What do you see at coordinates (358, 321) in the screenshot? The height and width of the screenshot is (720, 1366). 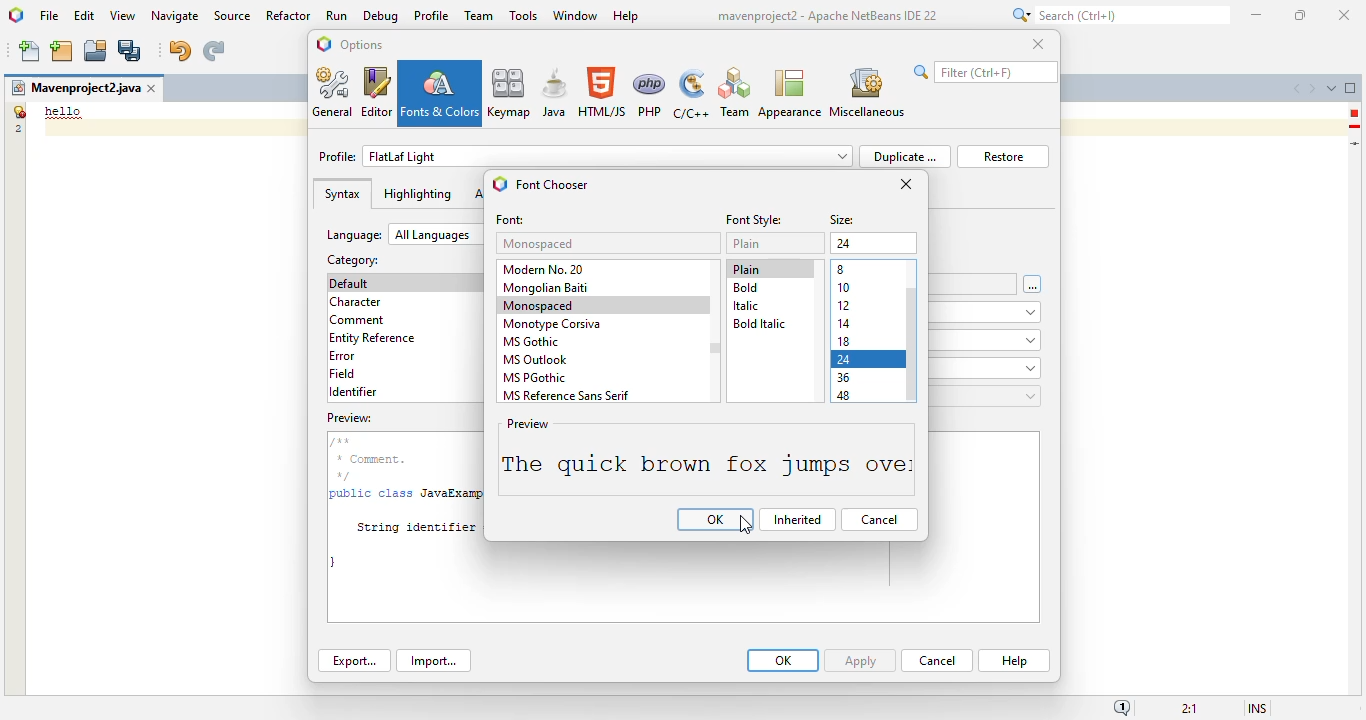 I see `comment` at bounding box center [358, 321].